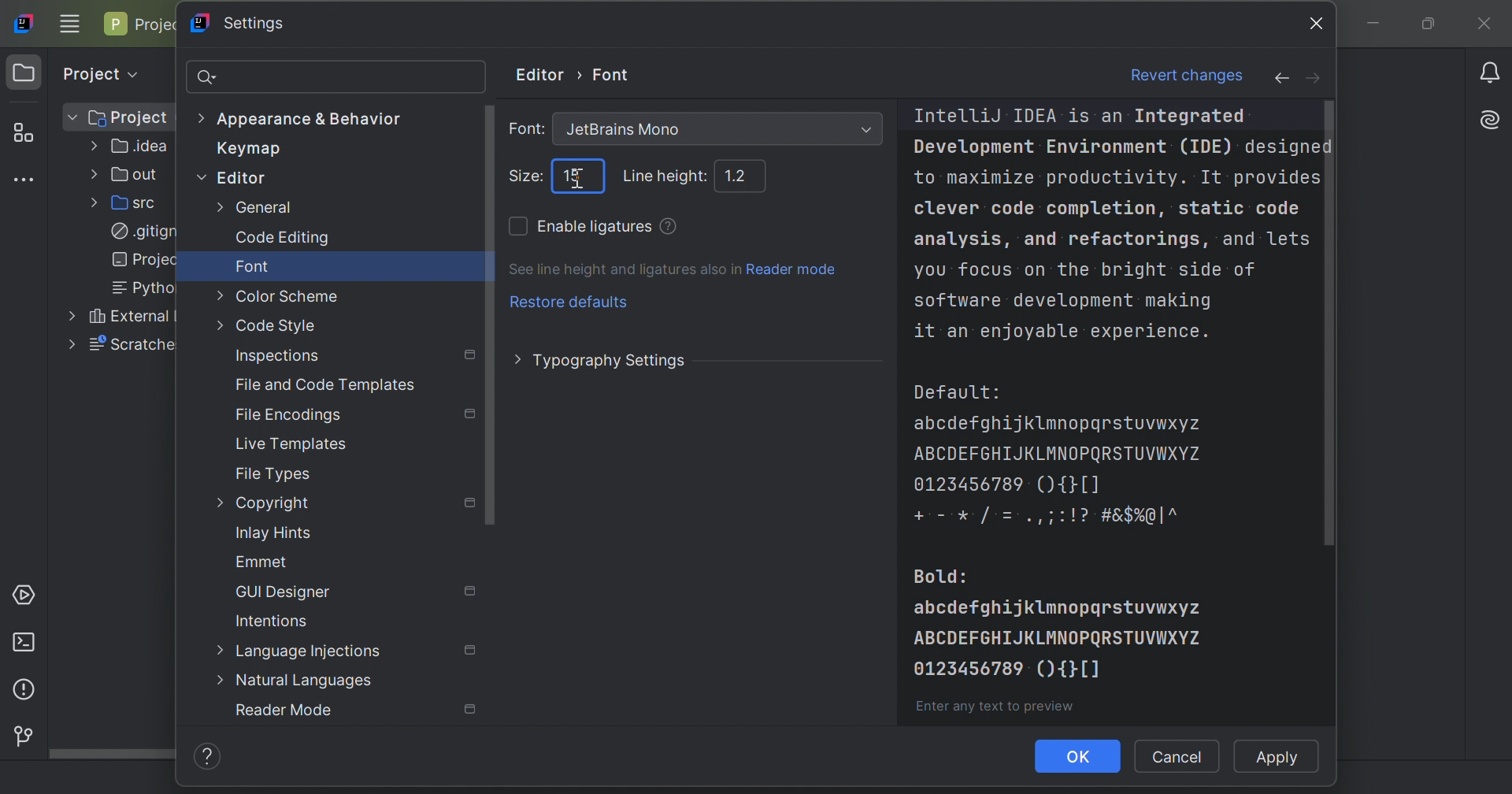 The height and width of the screenshot is (794, 1512). I want to click on Emmet, so click(262, 562).